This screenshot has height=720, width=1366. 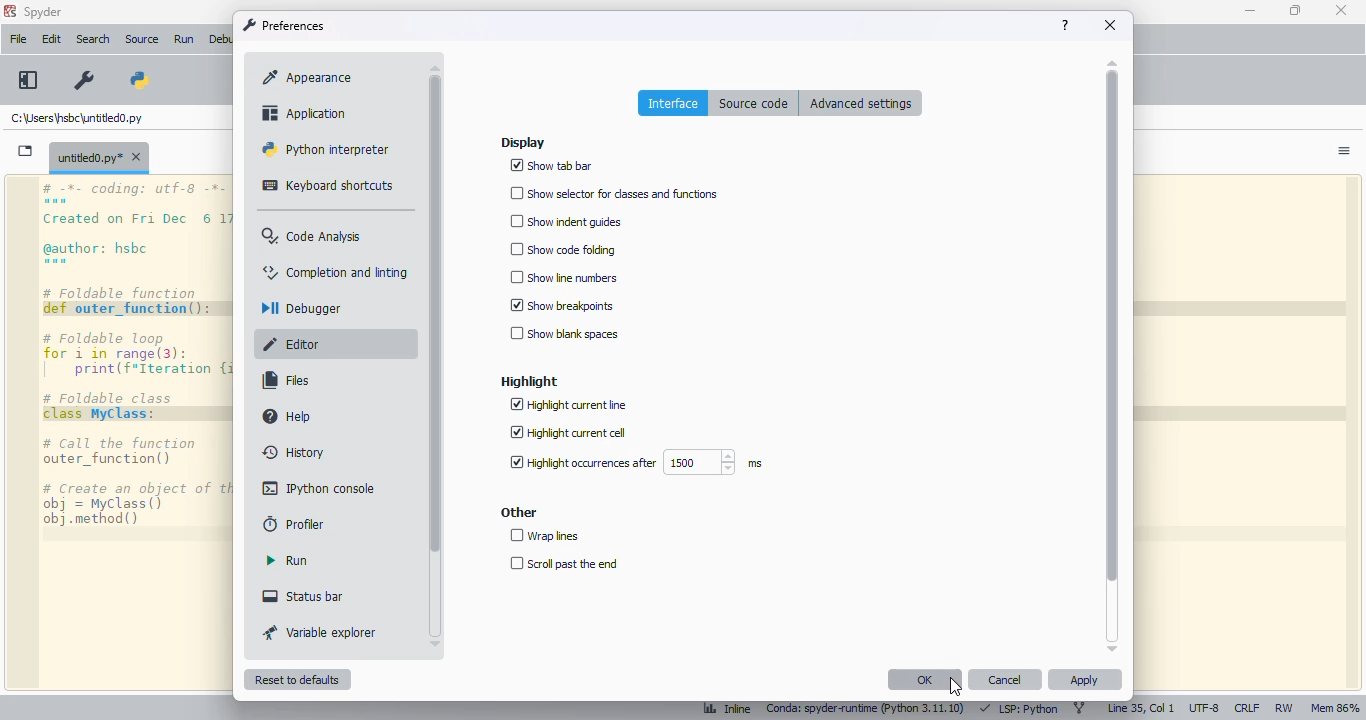 What do you see at coordinates (26, 151) in the screenshot?
I see `browse tabs` at bounding box center [26, 151].